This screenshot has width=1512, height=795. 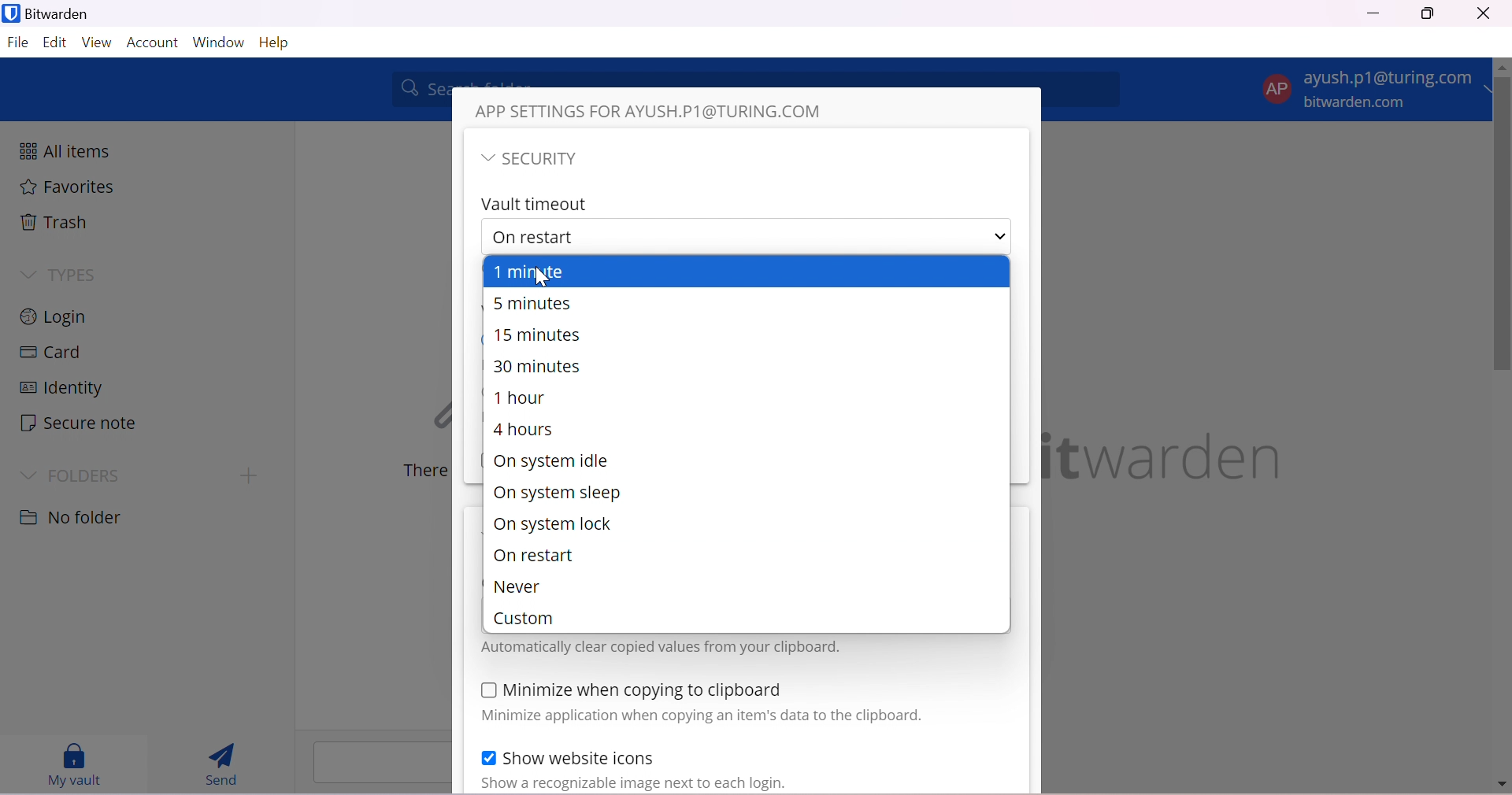 I want to click on Account, so click(x=154, y=43).